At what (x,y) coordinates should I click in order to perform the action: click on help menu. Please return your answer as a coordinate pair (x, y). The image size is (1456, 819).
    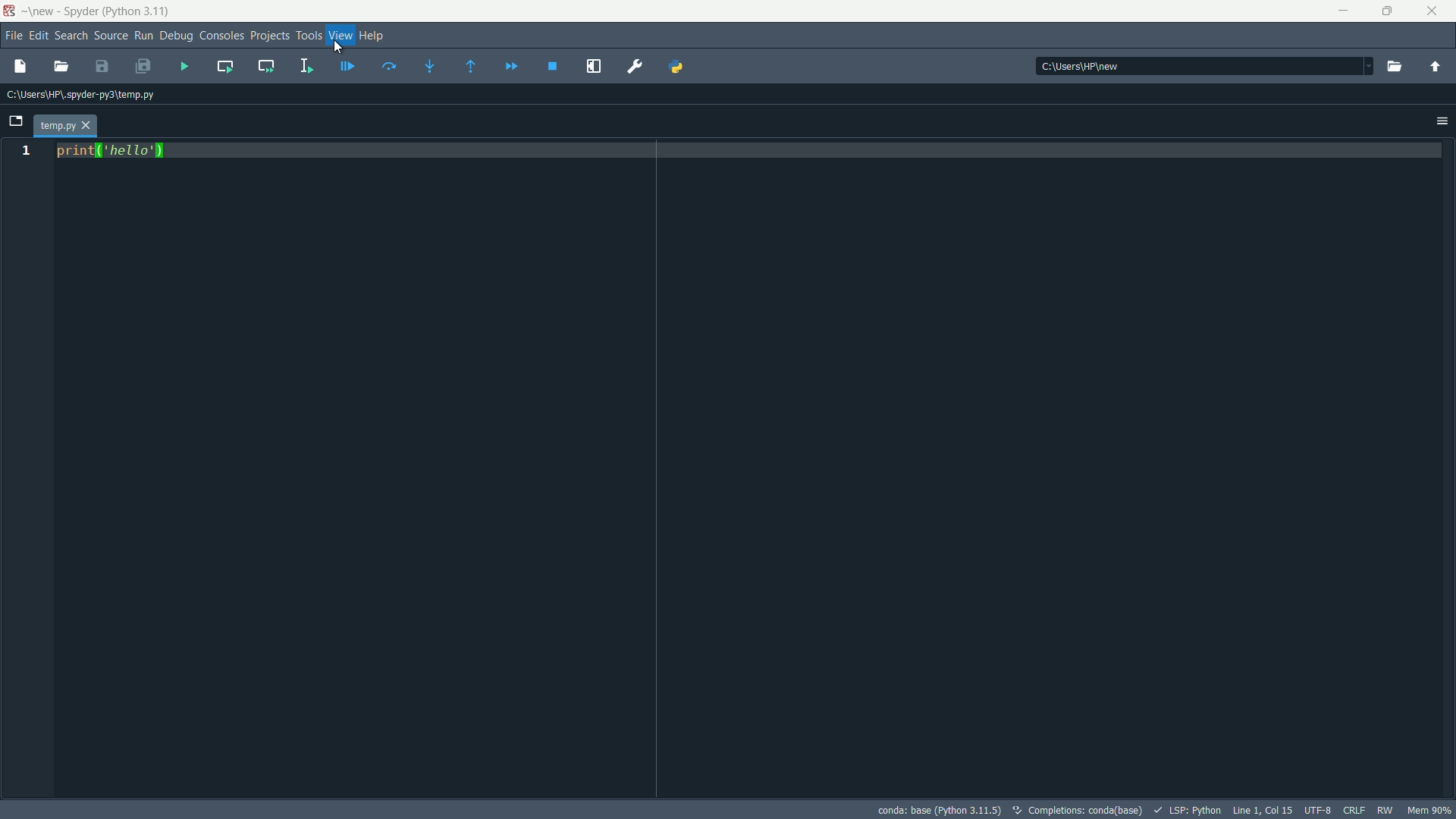
    Looking at the image, I should click on (375, 35).